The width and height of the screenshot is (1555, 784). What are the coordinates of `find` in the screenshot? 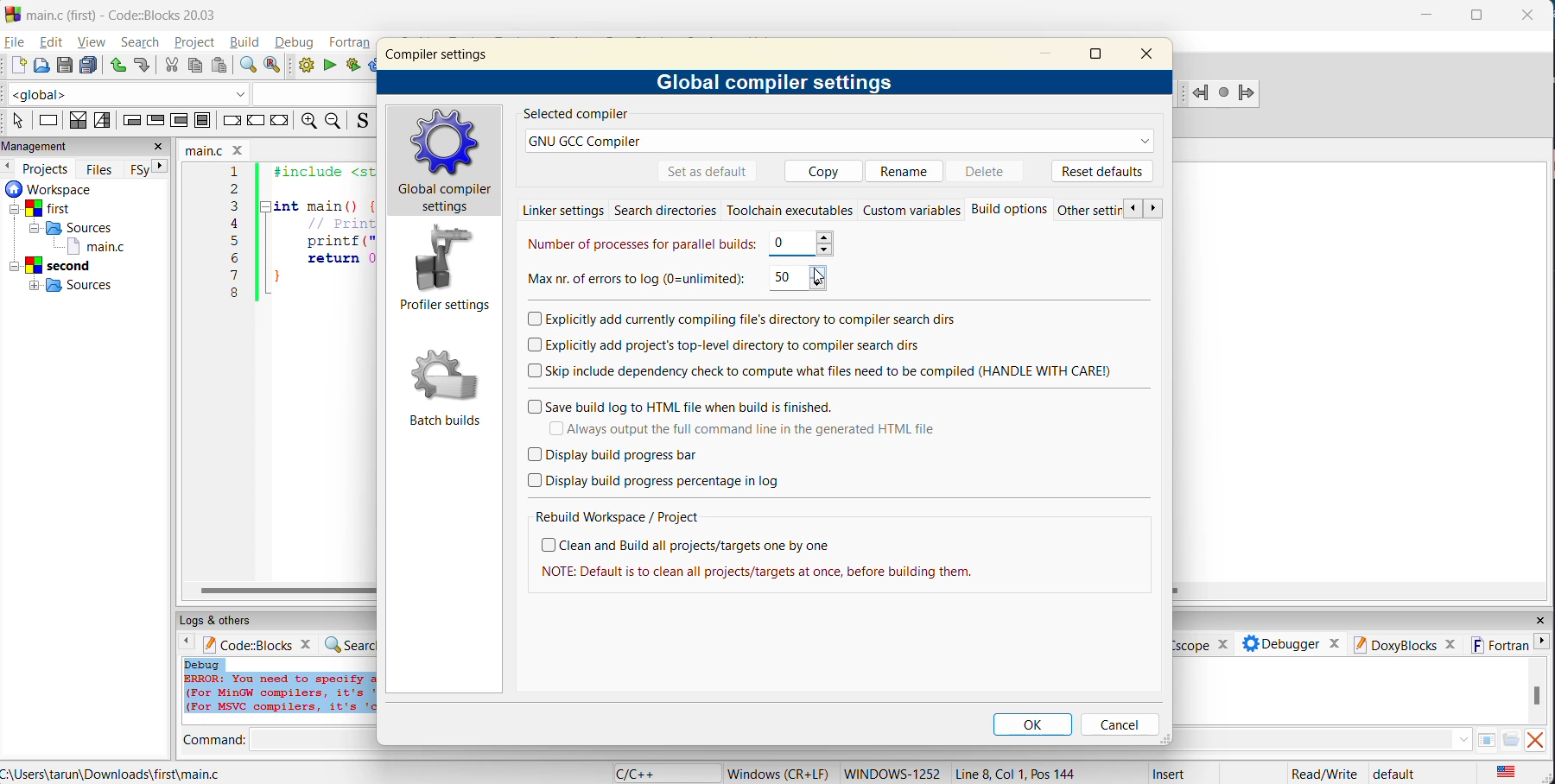 It's located at (247, 67).